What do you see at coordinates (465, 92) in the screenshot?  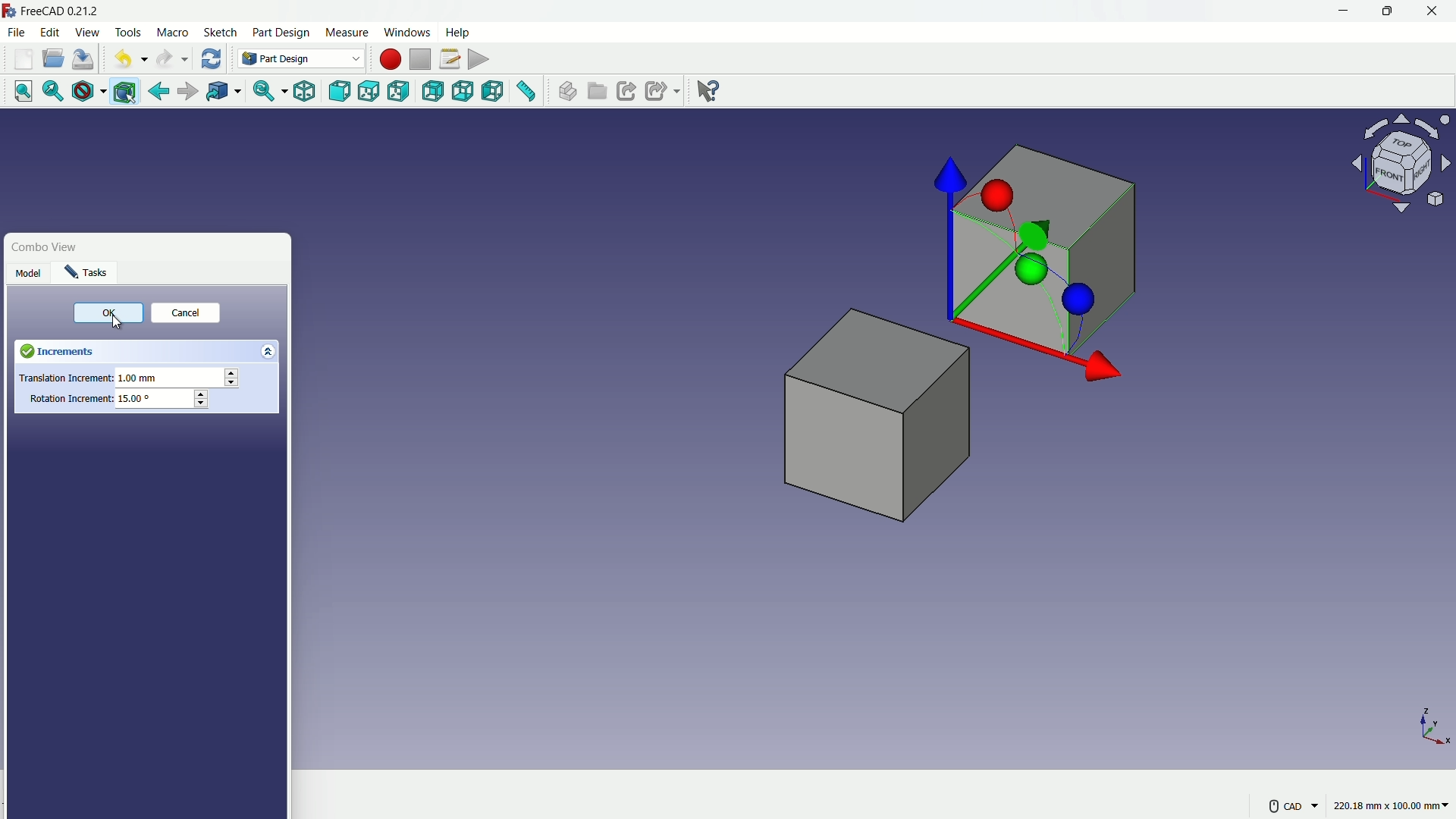 I see `bottom view` at bounding box center [465, 92].